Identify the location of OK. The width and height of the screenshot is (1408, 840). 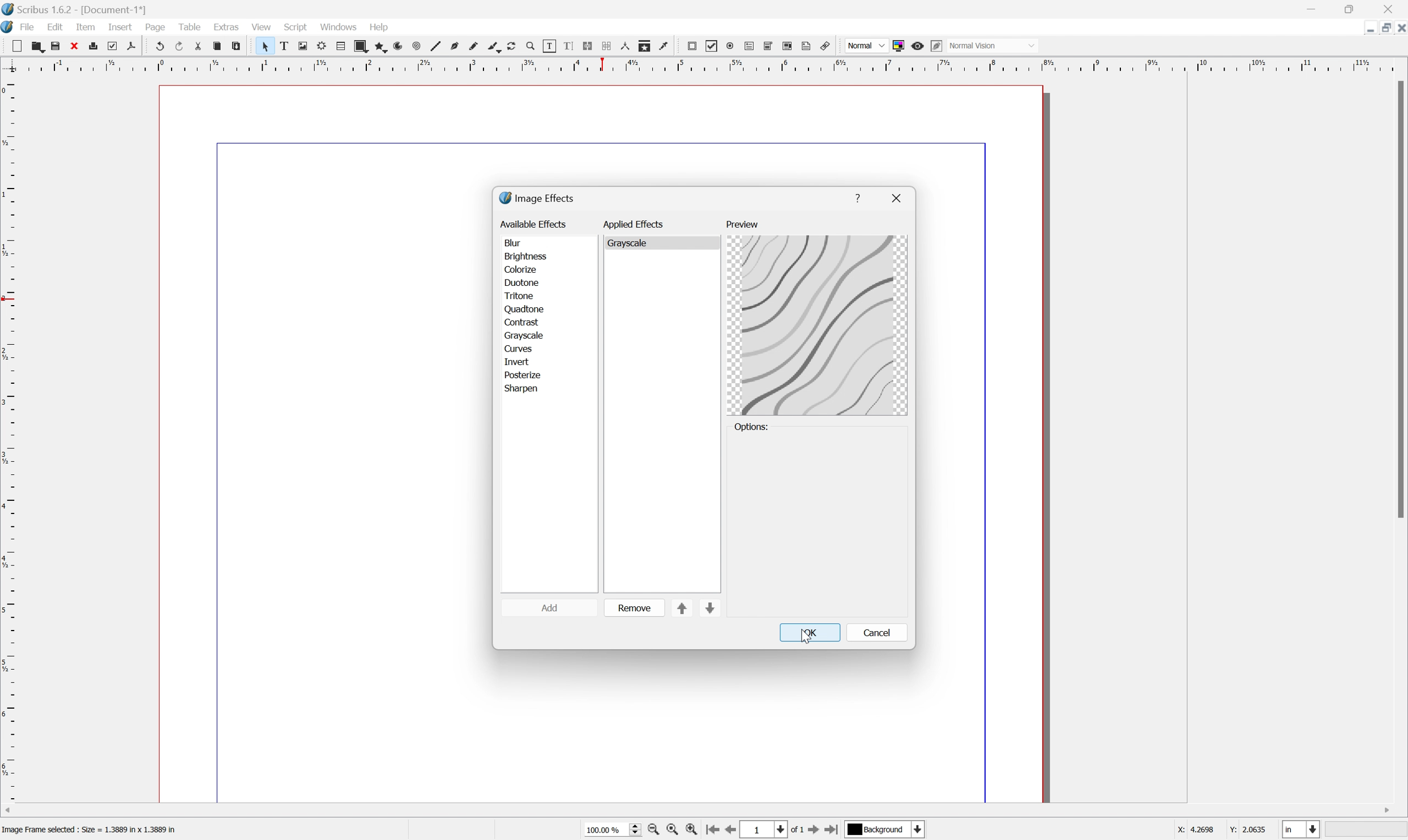
(812, 633).